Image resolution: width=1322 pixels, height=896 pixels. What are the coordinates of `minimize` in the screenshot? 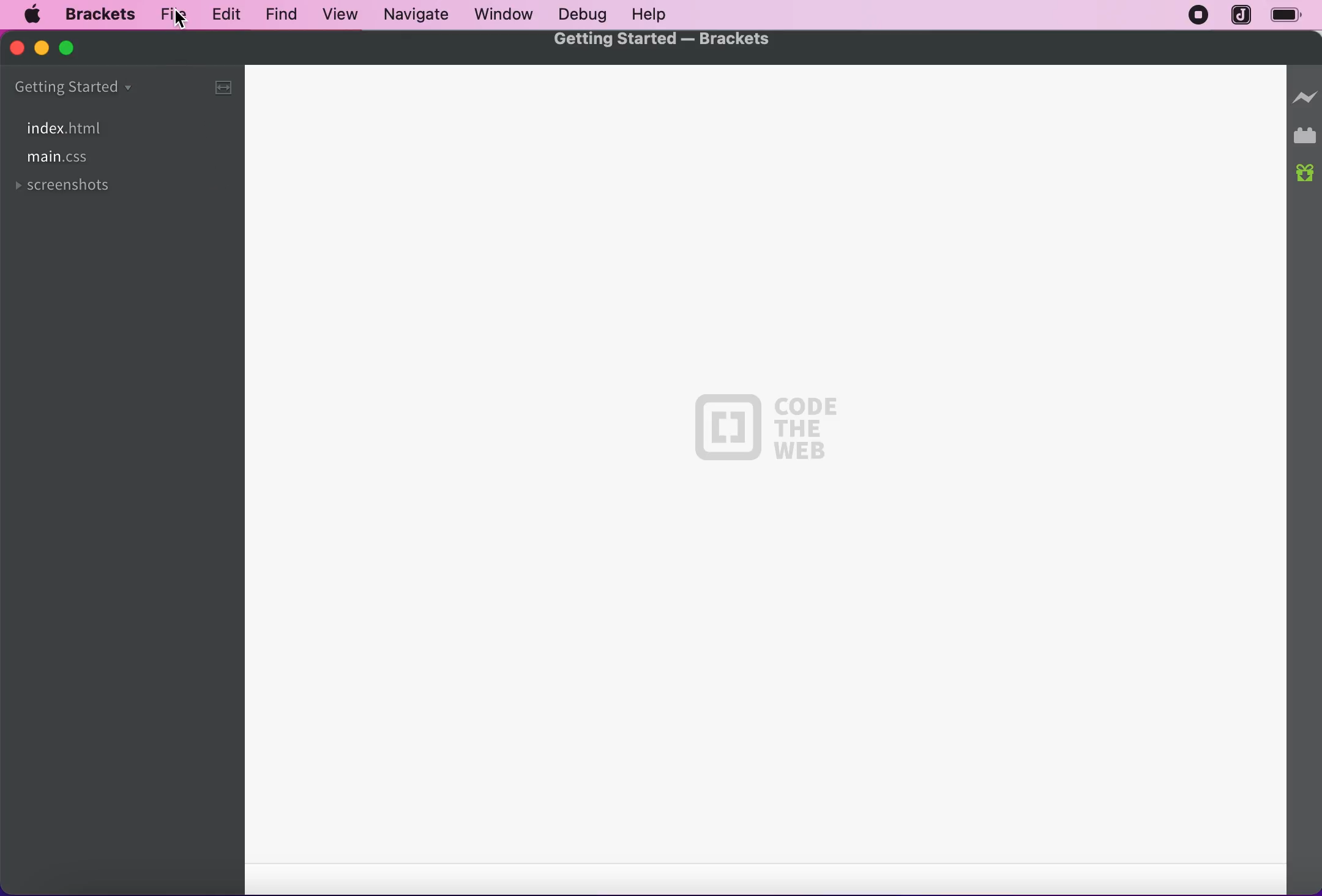 It's located at (40, 47).